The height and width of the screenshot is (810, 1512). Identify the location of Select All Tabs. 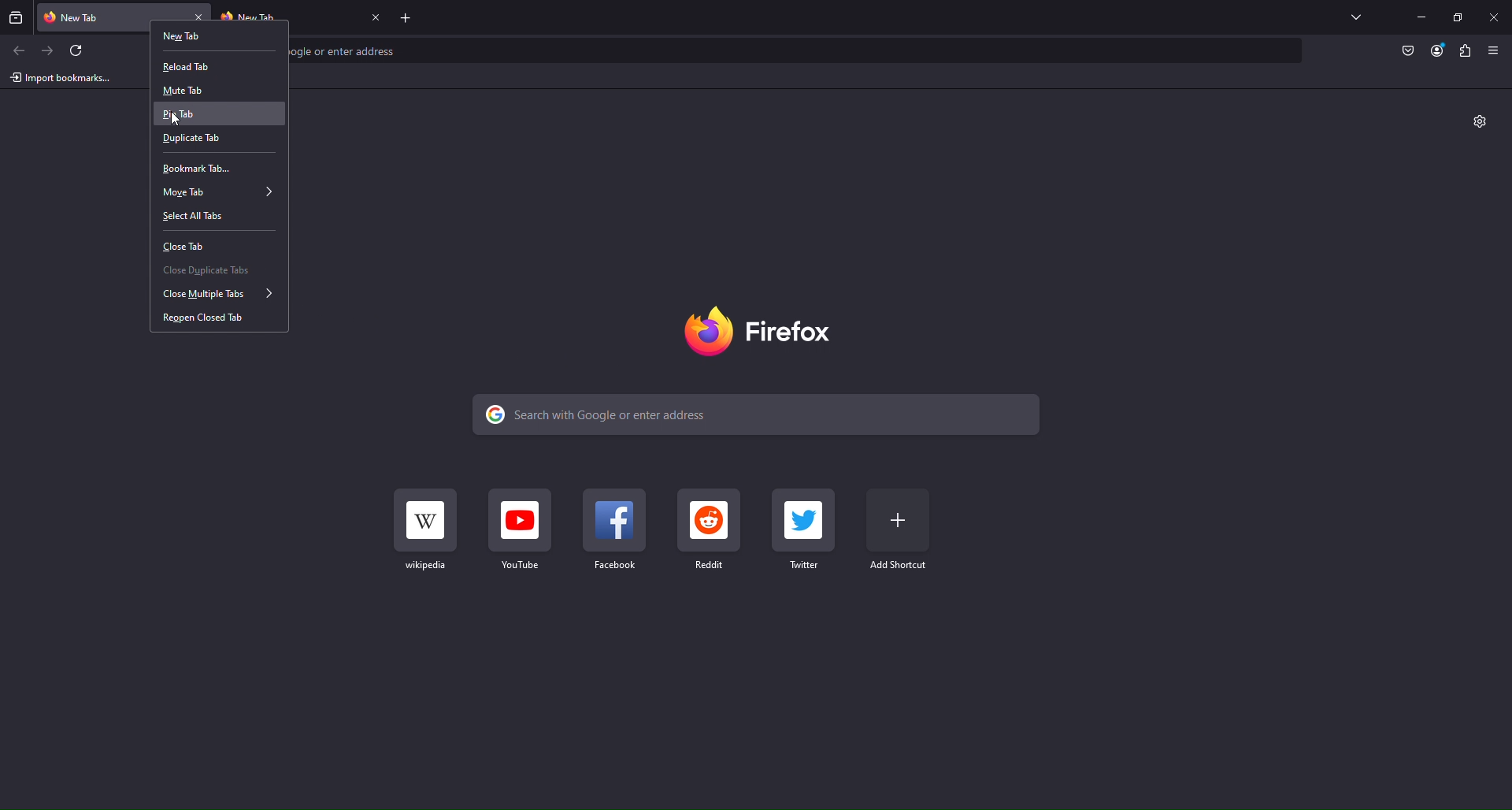
(216, 217).